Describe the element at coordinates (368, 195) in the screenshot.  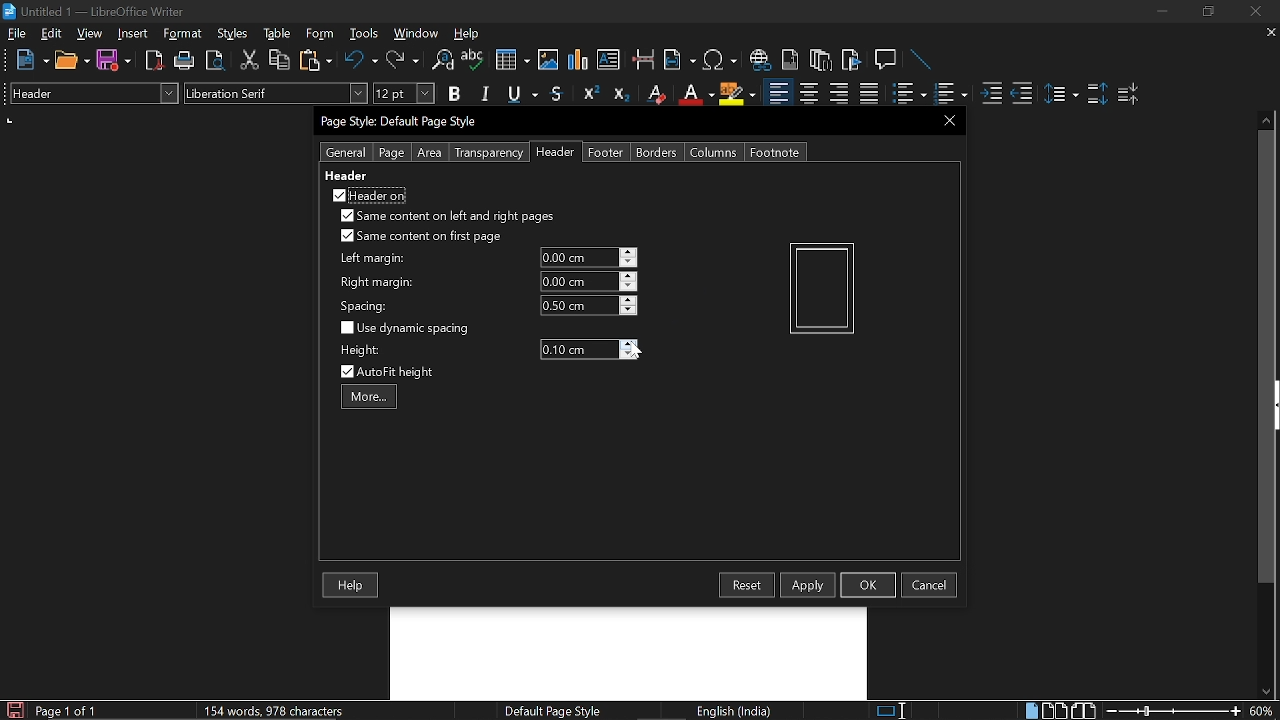
I see `Header on` at that location.